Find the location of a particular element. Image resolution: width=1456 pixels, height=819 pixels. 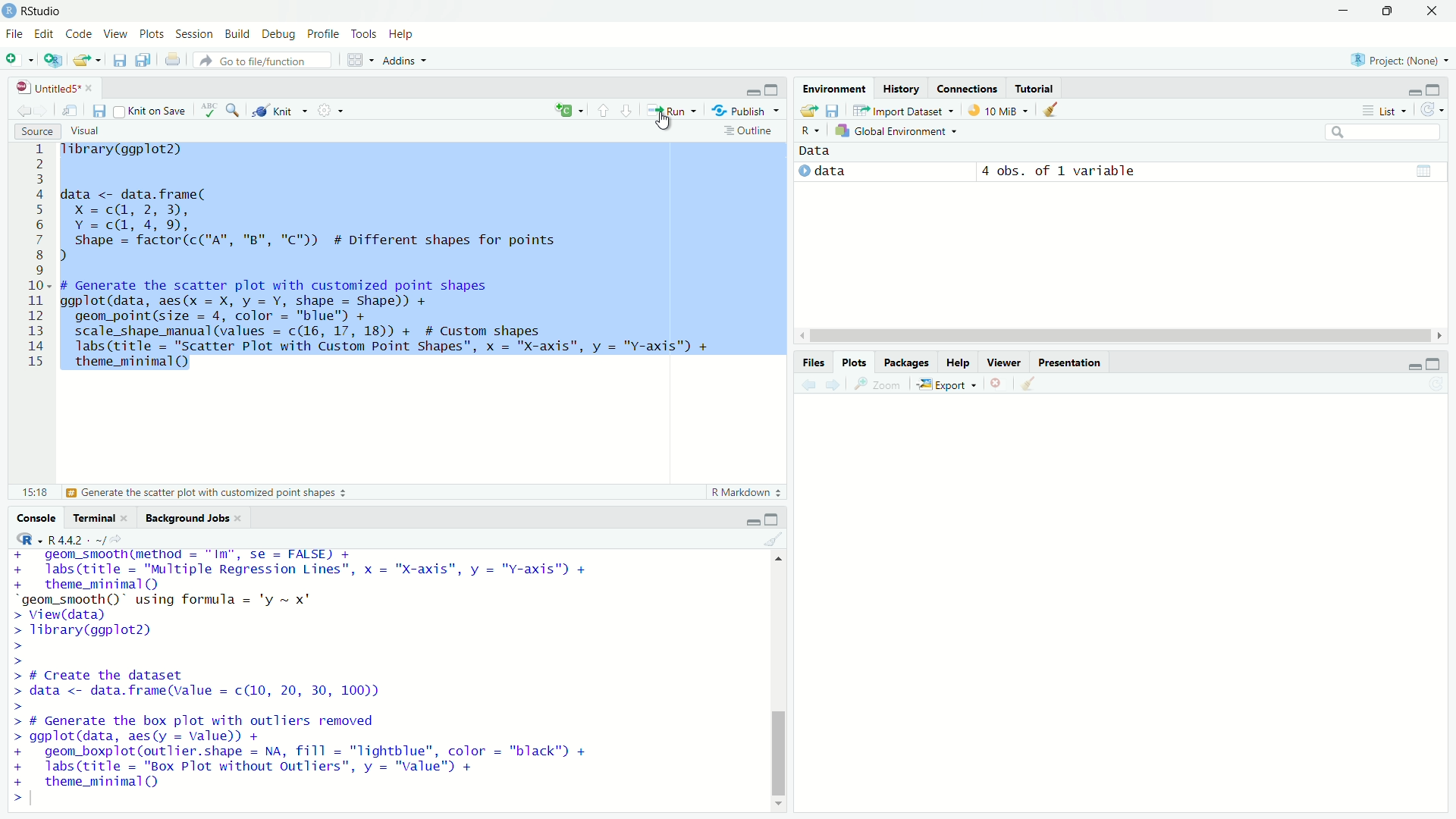

1ibrary(ggplot2)
data <- data.frame(
X =cQ, 2, 3),
Y=cd, 4,9,
Shape = factor(c("A", "B", "C")) # Different shapes for points
d
. . . I
# Generate the scatter plot with customized point shapes
ggplot(data, aes(x = X, y = Y, shape = Shape)) +
geom_point(size = 4, color = "blue") +
scale_shape_manual (values = c(16, 17, 18)) + # Custom shapes
Tabs (title = "Scatter Plot with Custom Point Shapes", x = "X-axis", y = "Y-axis") +
theme_minimal() is located at coordinates (388, 258).